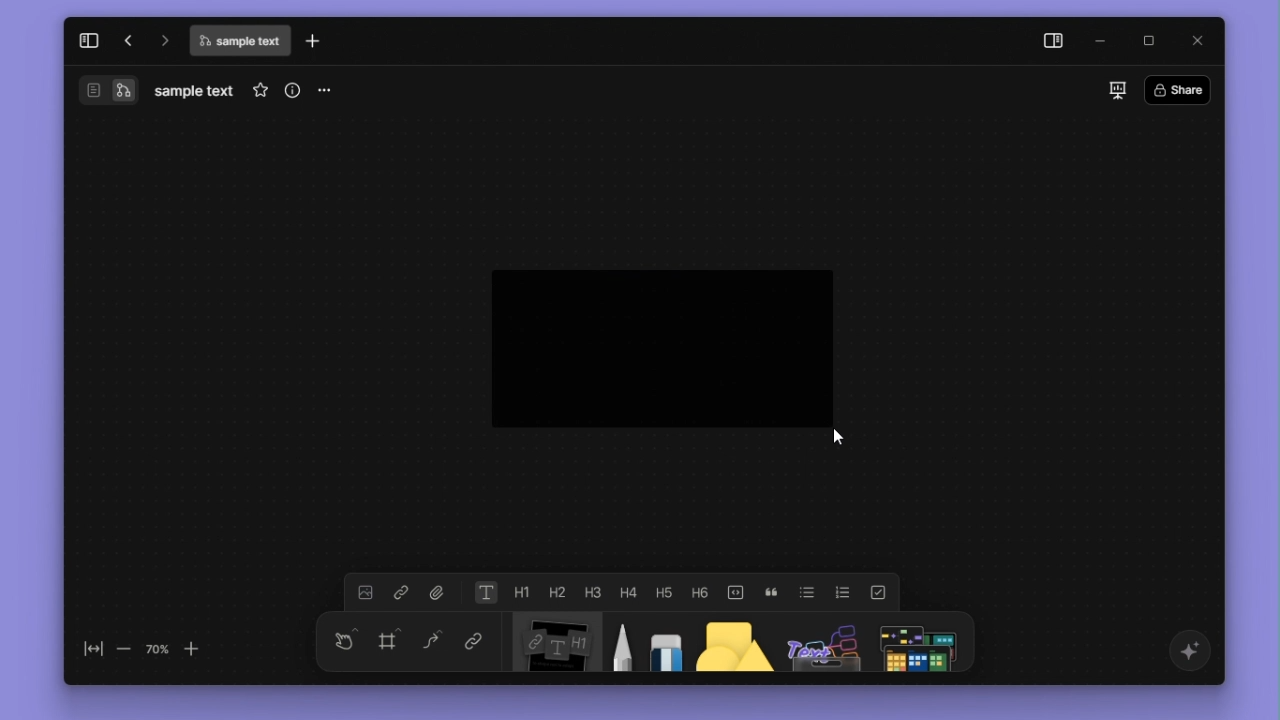 The height and width of the screenshot is (720, 1280). What do you see at coordinates (1182, 88) in the screenshot?
I see `share` at bounding box center [1182, 88].